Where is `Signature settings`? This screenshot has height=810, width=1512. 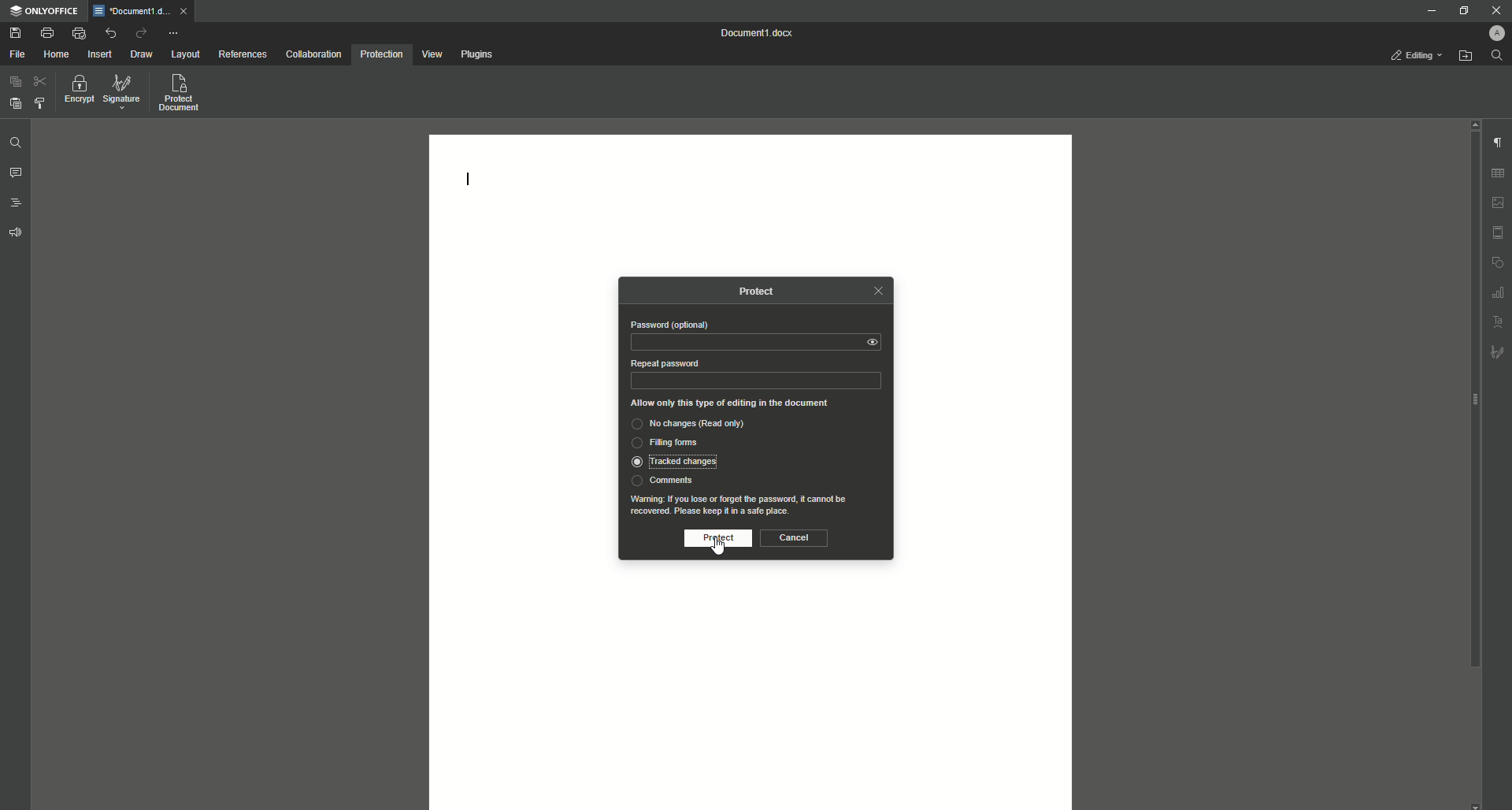 Signature settings is located at coordinates (1499, 354).